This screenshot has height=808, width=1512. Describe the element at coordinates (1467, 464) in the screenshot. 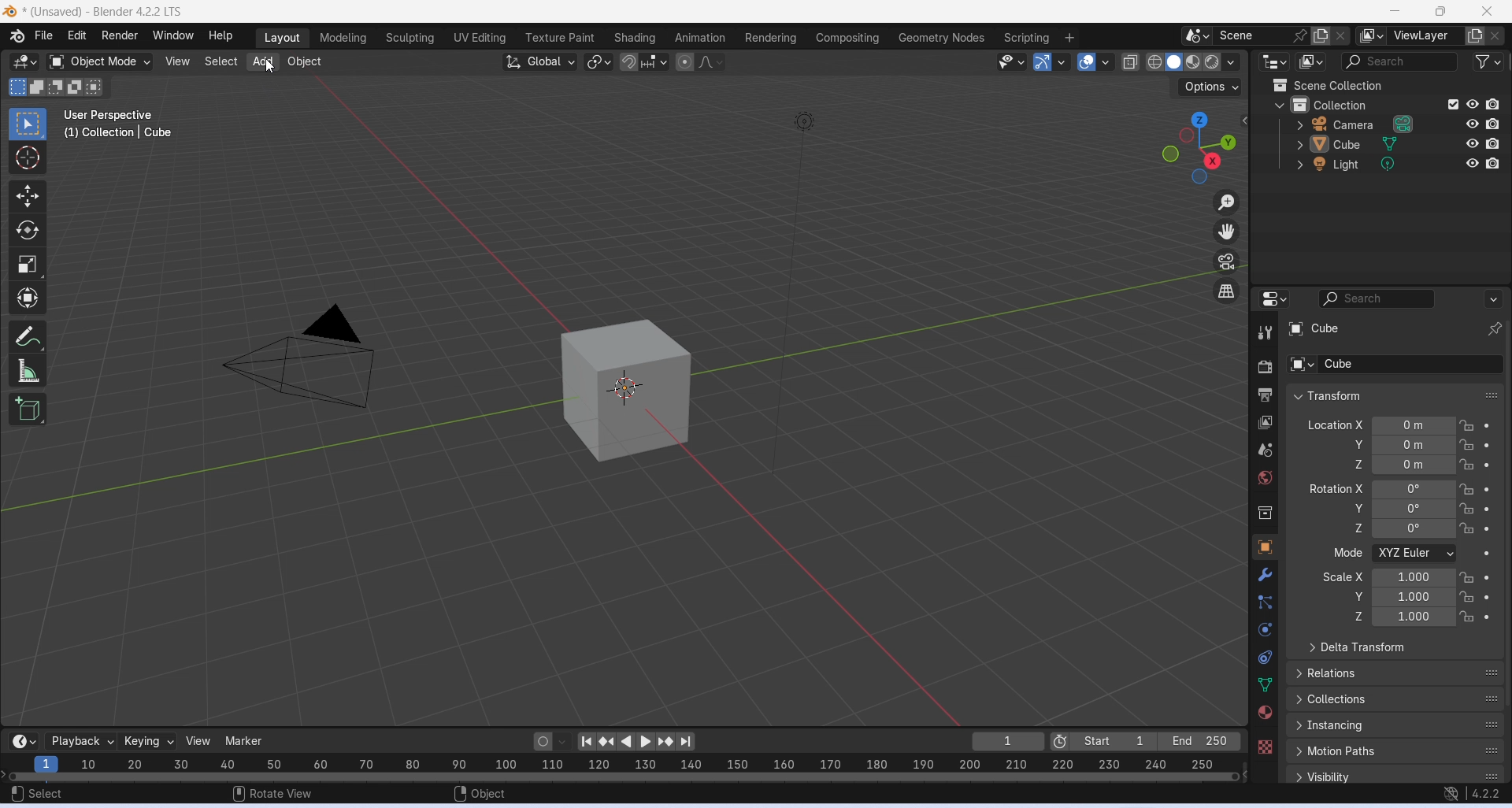

I see `lock location` at that location.